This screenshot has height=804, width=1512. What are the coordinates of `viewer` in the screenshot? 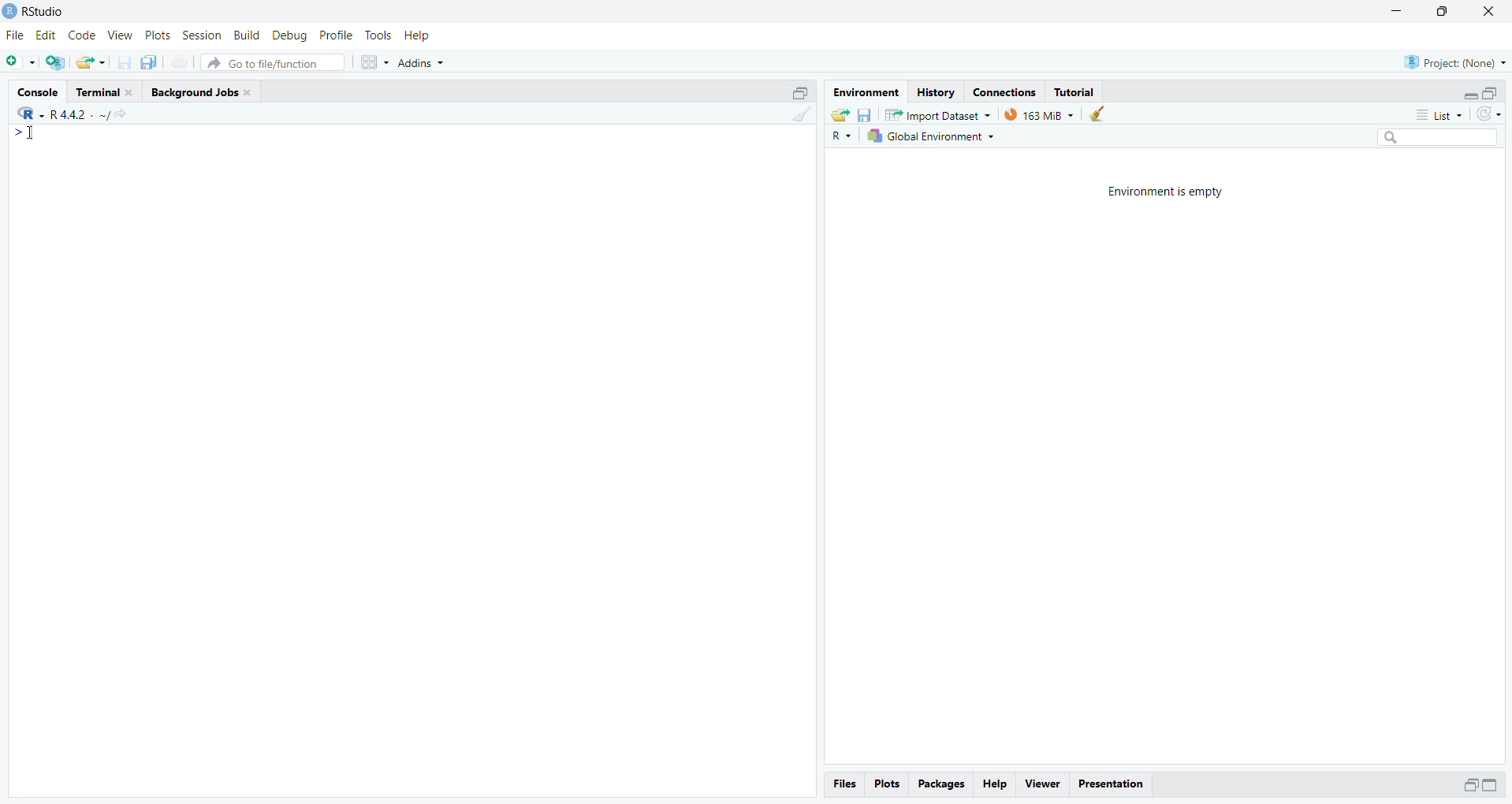 It's located at (1045, 784).